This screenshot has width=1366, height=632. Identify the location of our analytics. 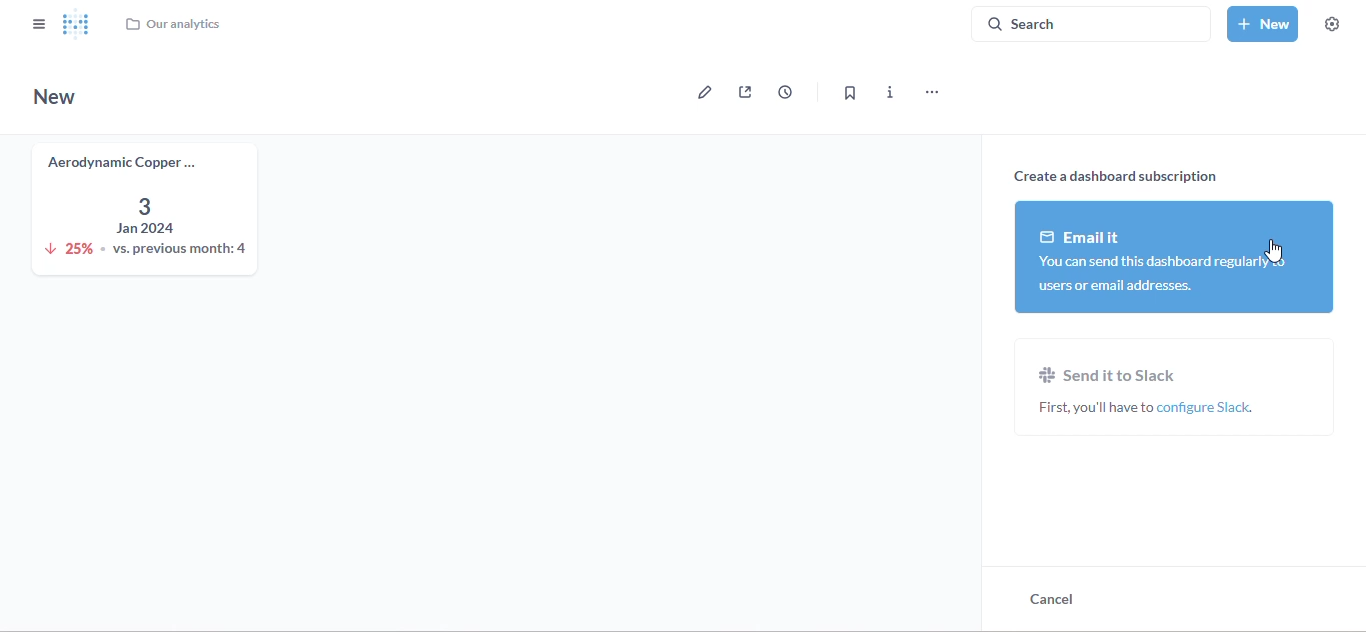
(172, 24).